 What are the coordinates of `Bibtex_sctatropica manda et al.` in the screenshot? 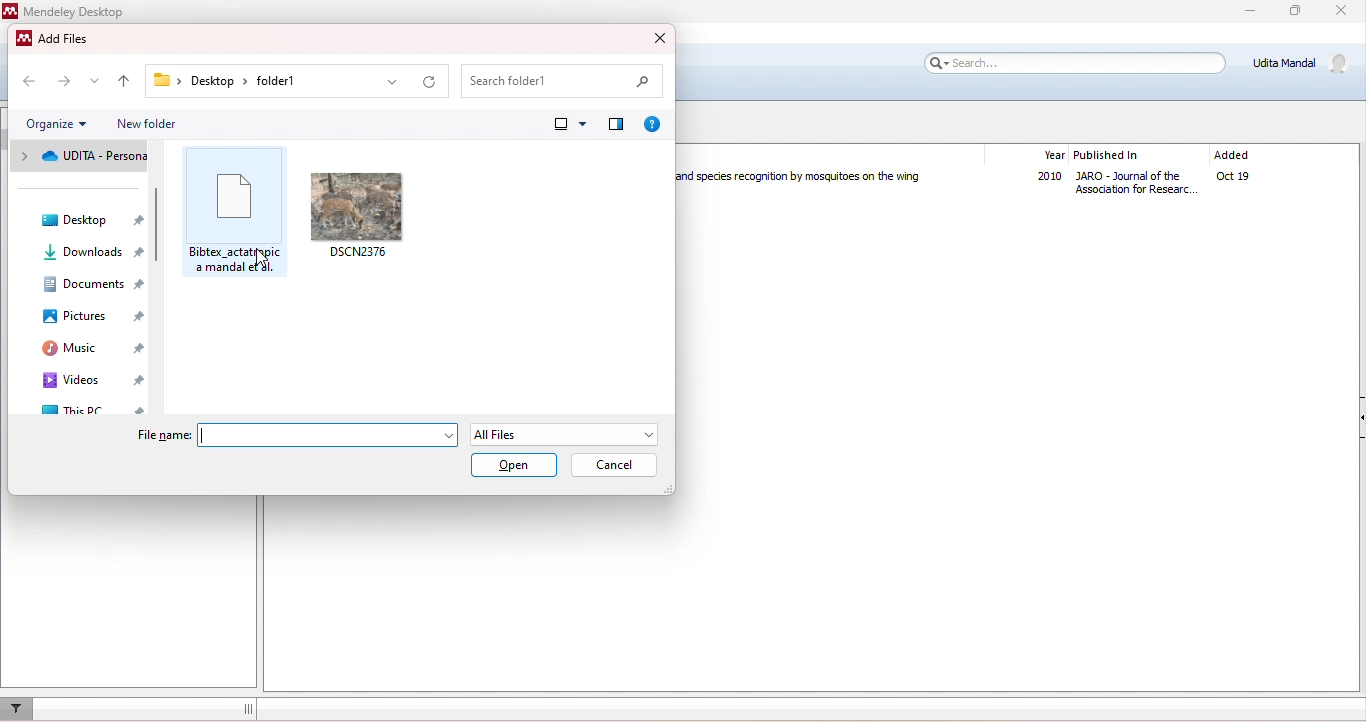 It's located at (233, 211).